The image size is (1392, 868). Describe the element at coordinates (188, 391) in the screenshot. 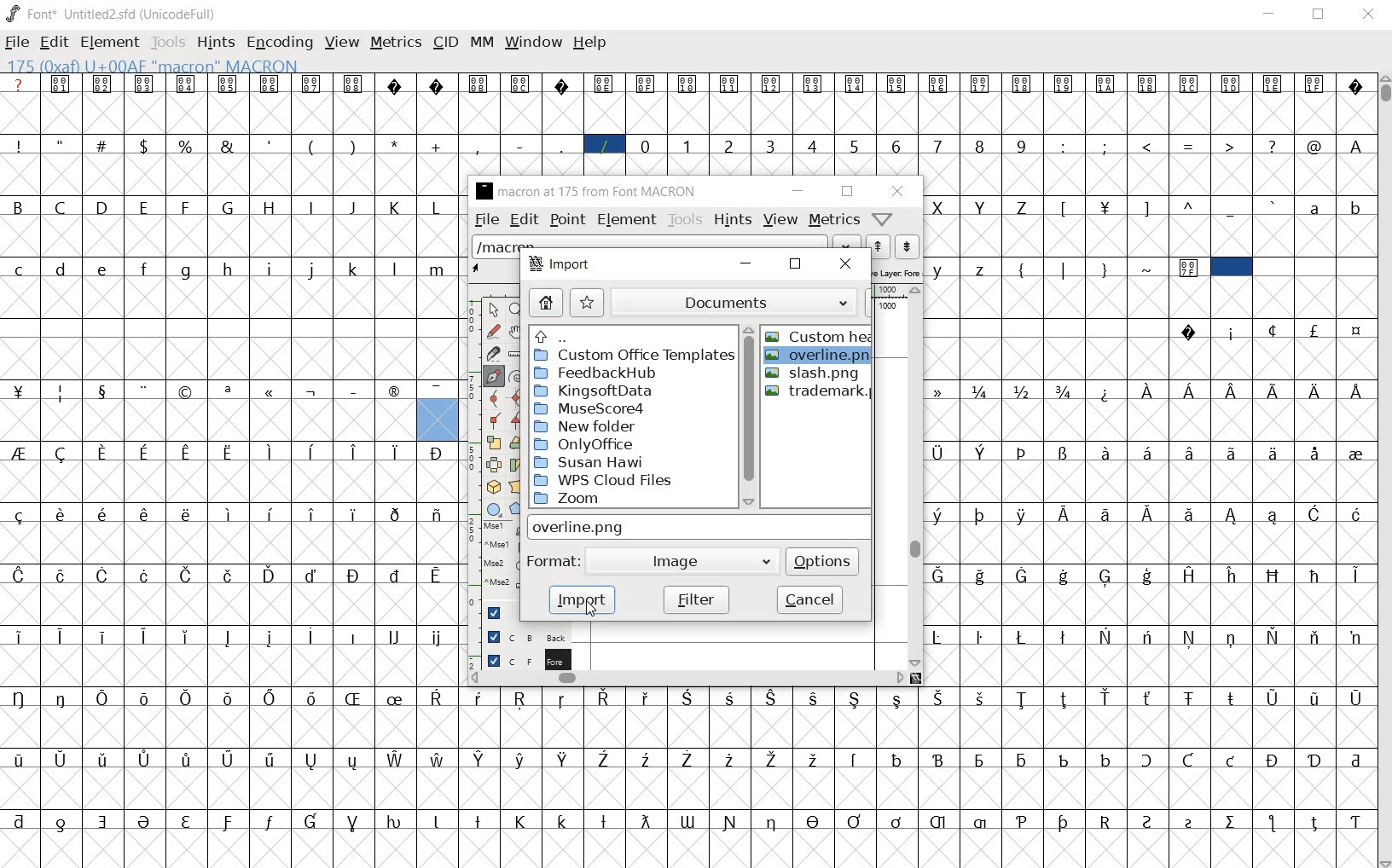

I see `Symbol` at that location.